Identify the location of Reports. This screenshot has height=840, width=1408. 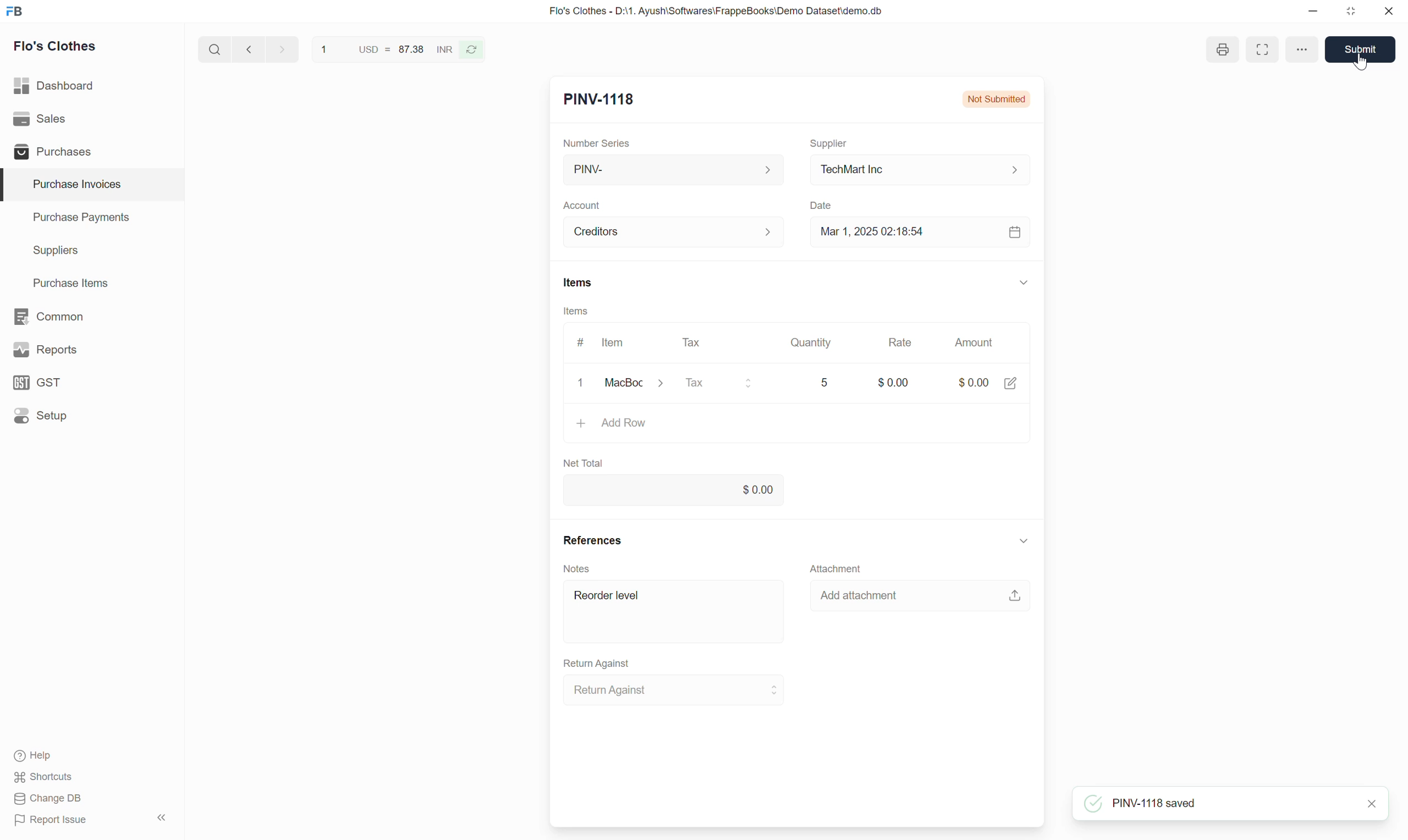
(92, 350).